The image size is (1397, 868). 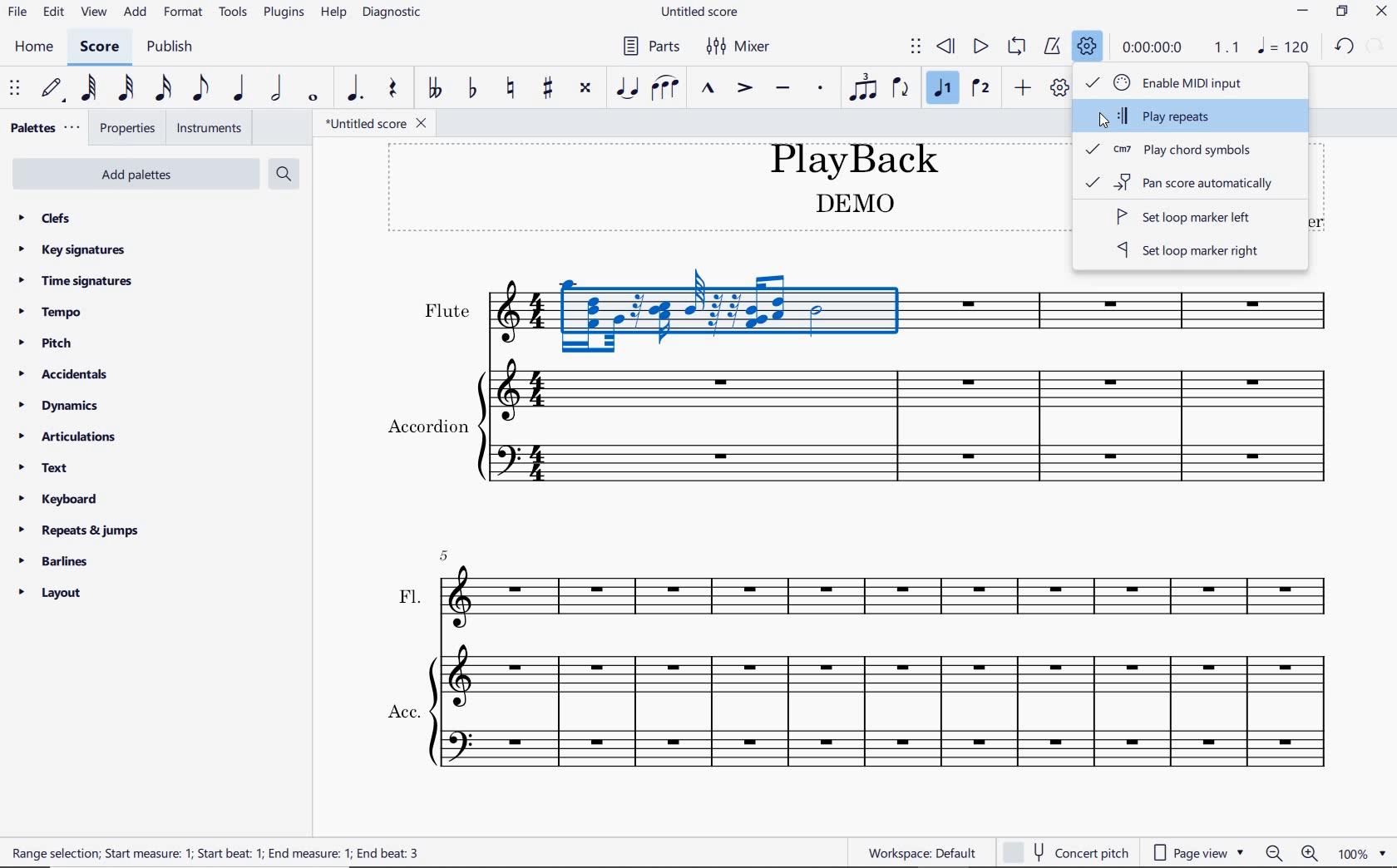 I want to click on minimize, so click(x=1302, y=8).